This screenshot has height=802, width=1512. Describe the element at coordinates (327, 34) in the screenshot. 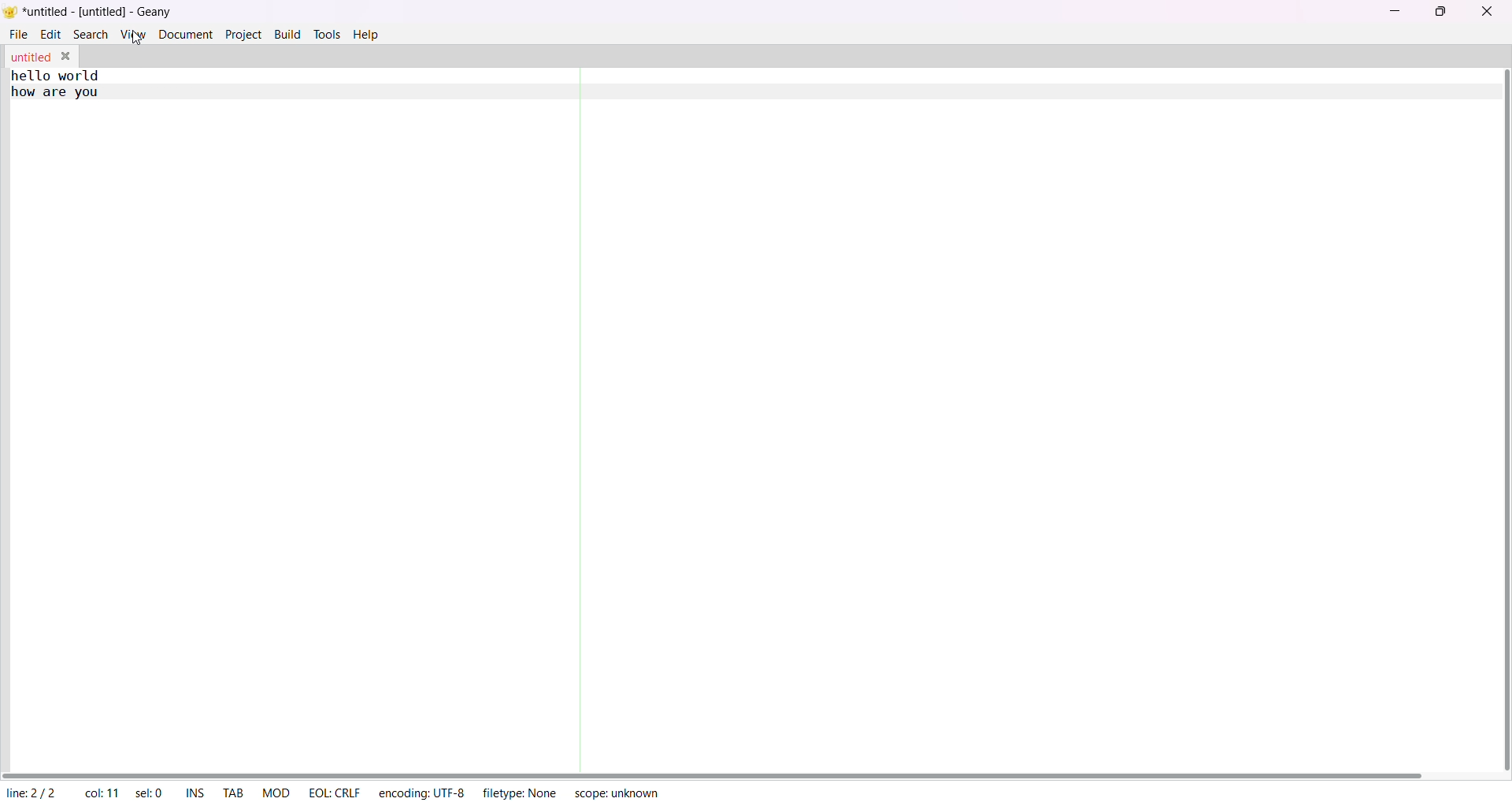

I see `tolls` at that location.